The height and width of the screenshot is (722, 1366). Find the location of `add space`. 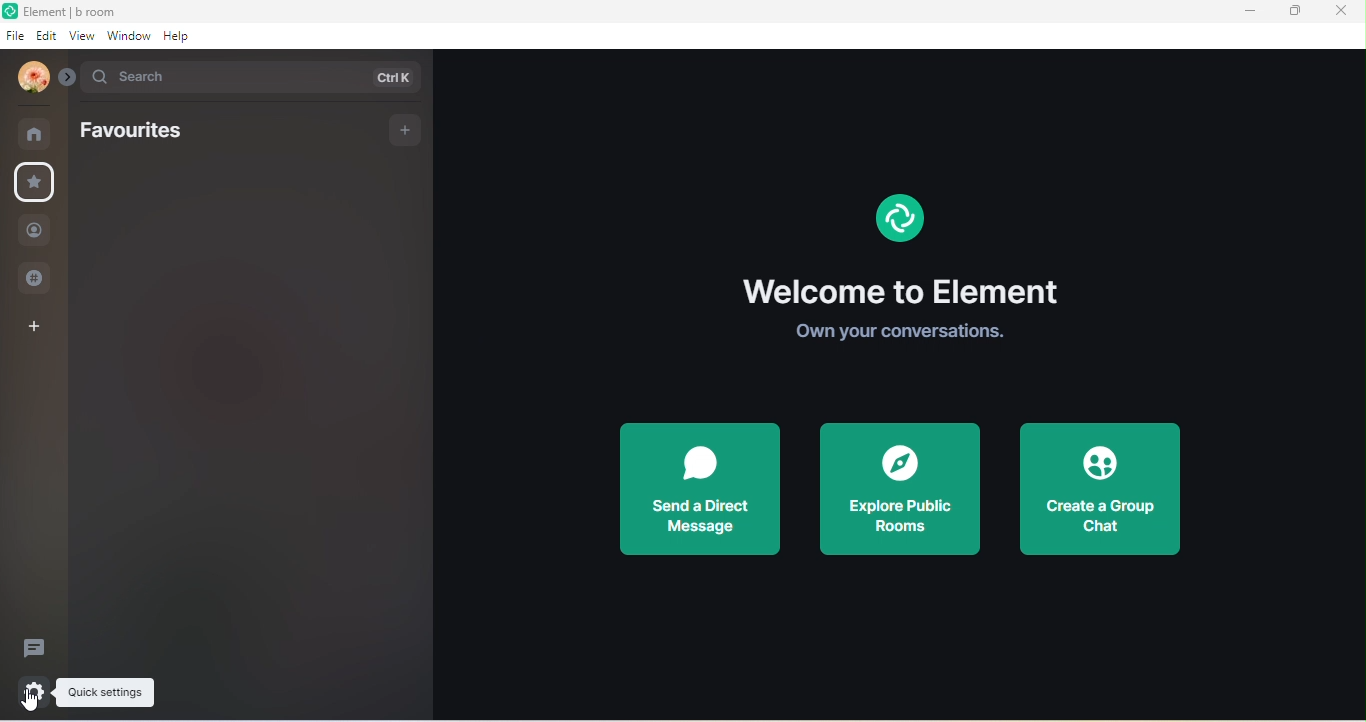

add space is located at coordinates (30, 332).